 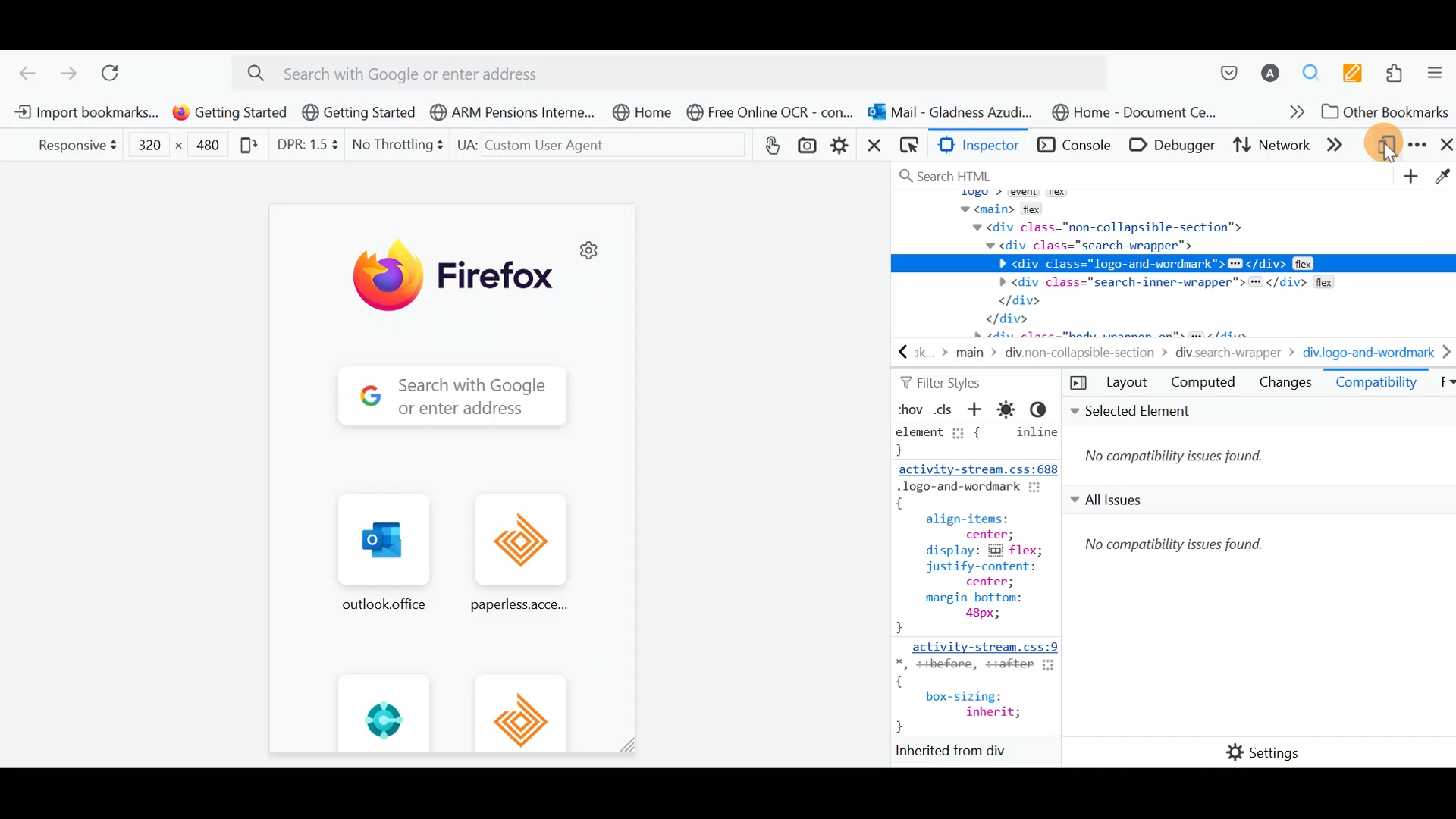 What do you see at coordinates (1398, 71) in the screenshot?
I see `Extensions` at bounding box center [1398, 71].